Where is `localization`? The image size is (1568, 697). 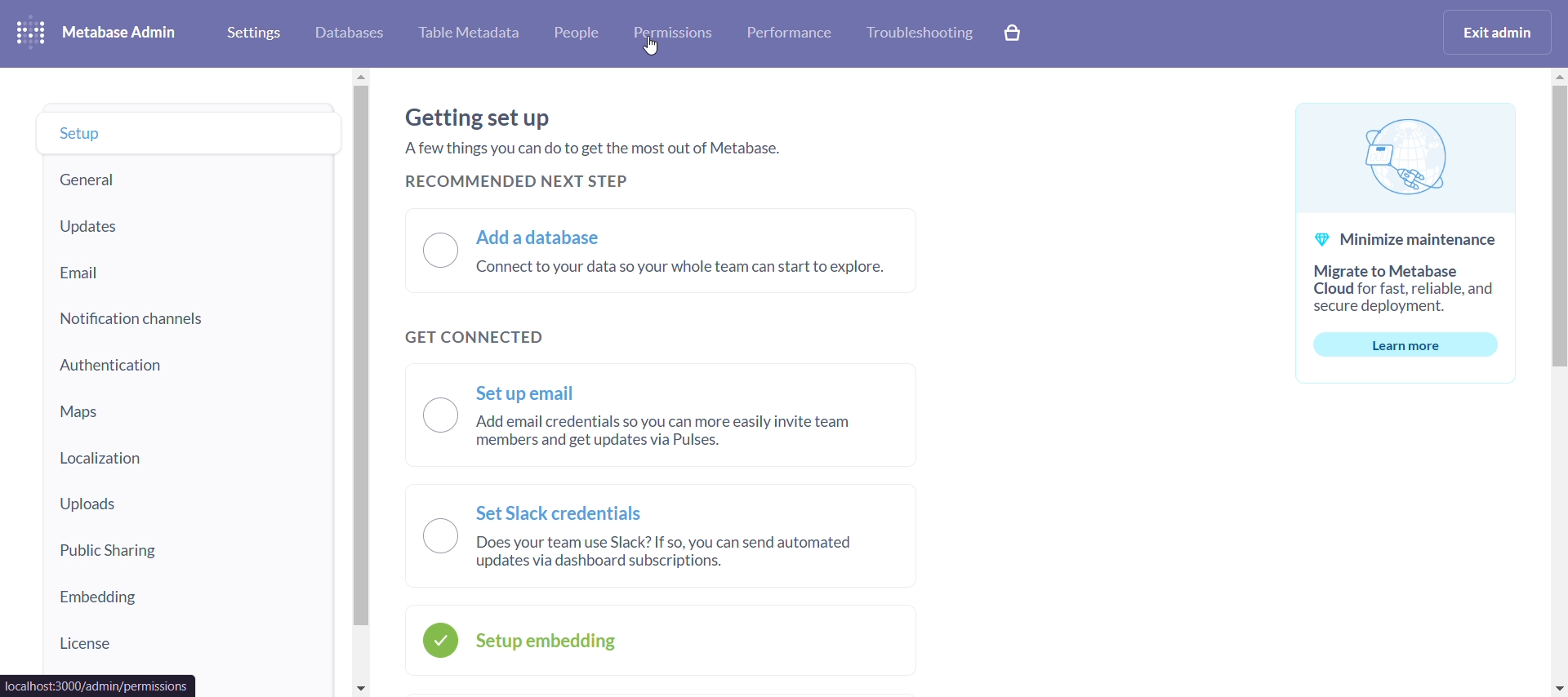
localization is located at coordinates (186, 458).